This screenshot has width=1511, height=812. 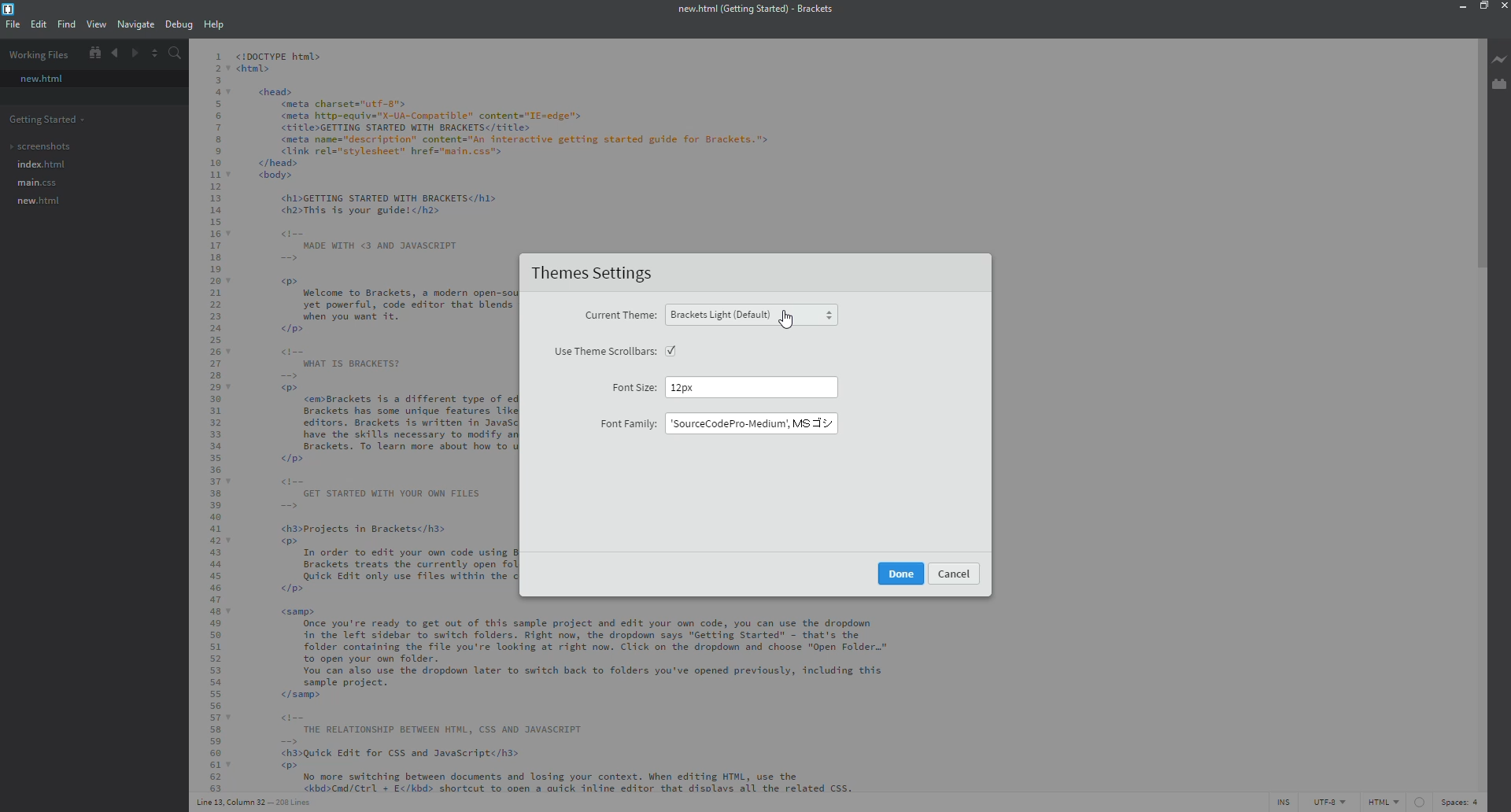 What do you see at coordinates (672, 350) in the screenshot?
I see `select` at bounding box center [672, 350].